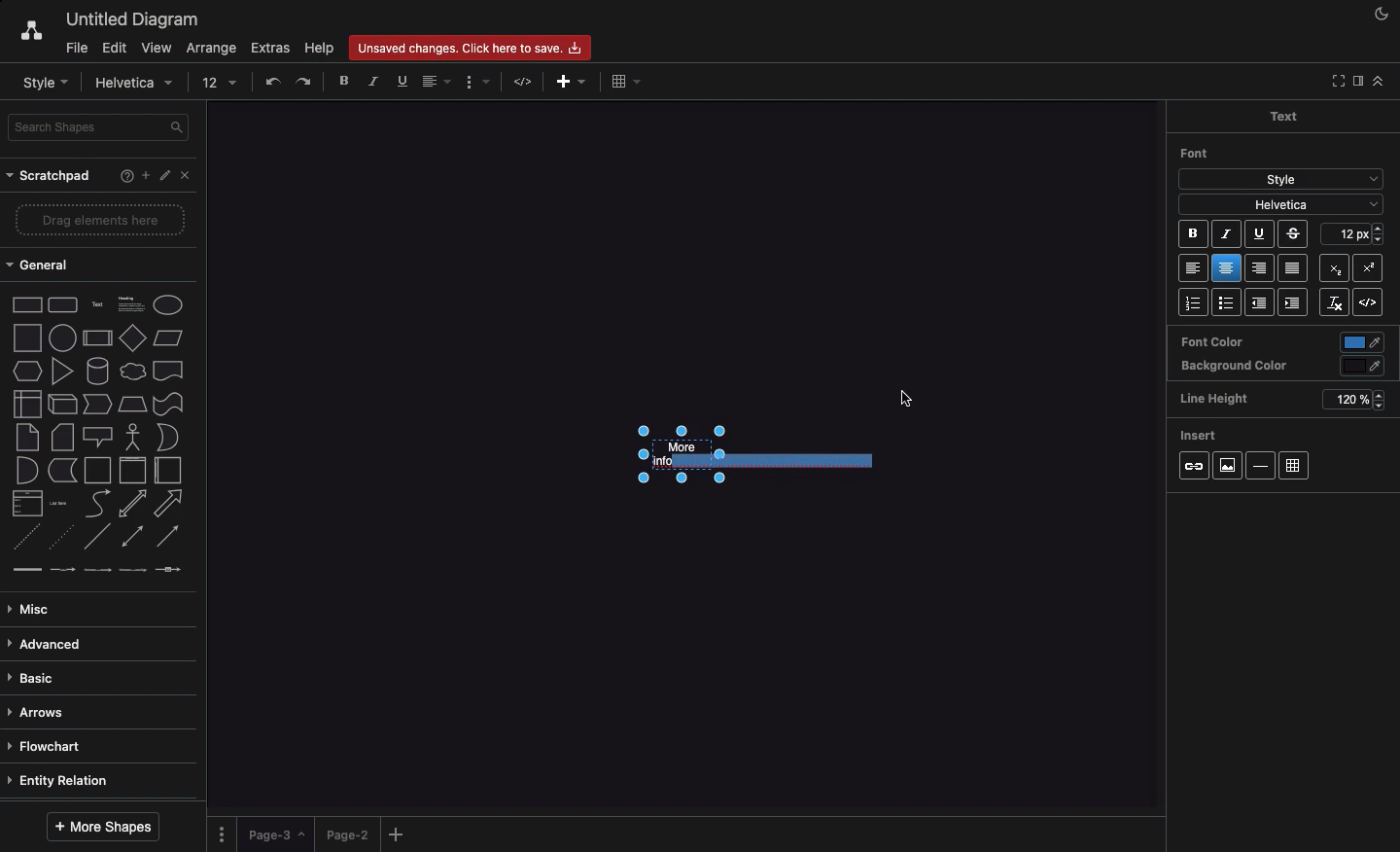  What do you see at coordinates (1373, 303) in the screenshot?
I see `Embed` at bounding box center [1373, 303].